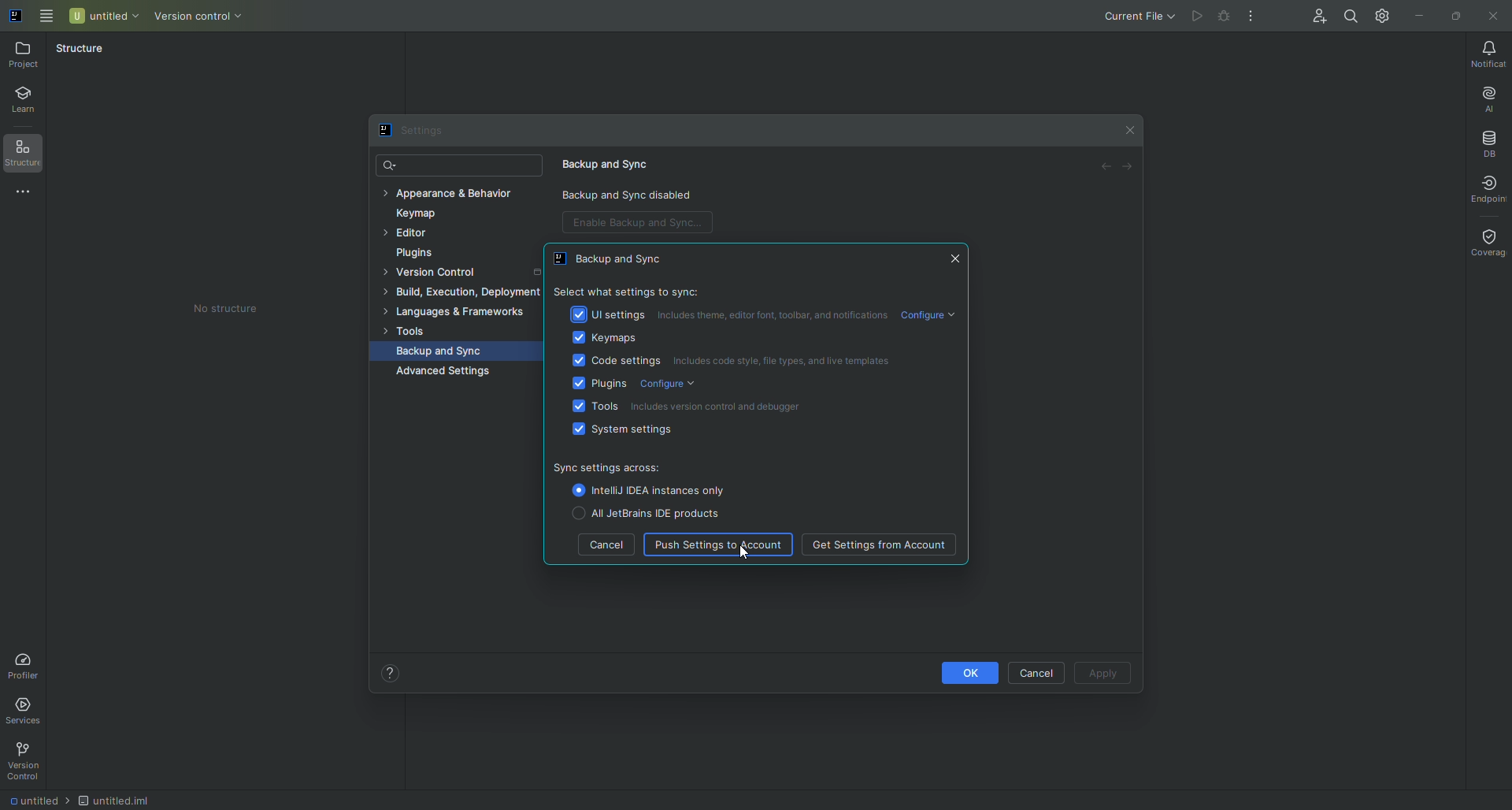 The height and width of the screenshot is (810, 1512). Describe the element at coordinates (35, 802) in the screenshot. I see `Filename` at that location.